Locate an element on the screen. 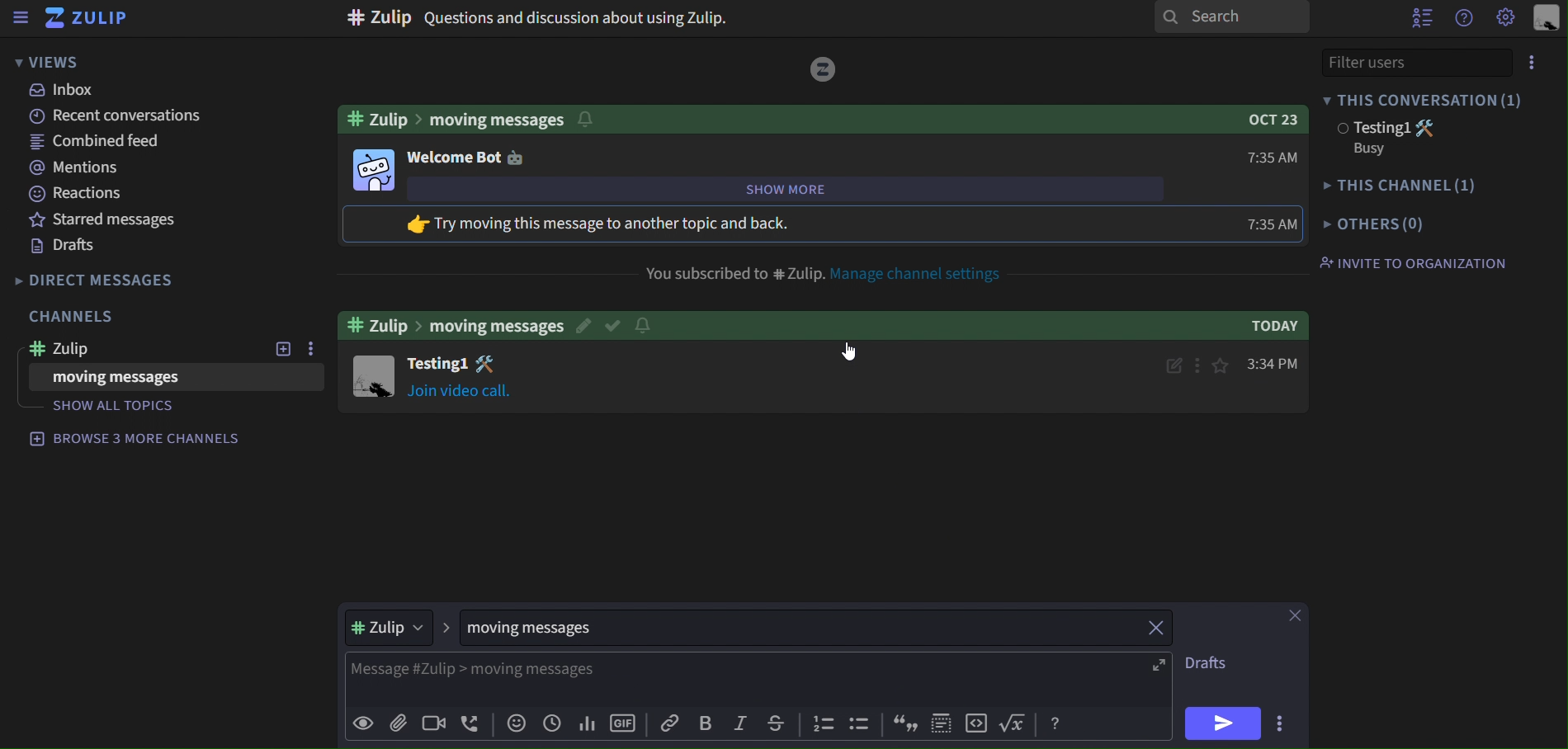  this conversation (1) is located at coordinates (1436, 96).